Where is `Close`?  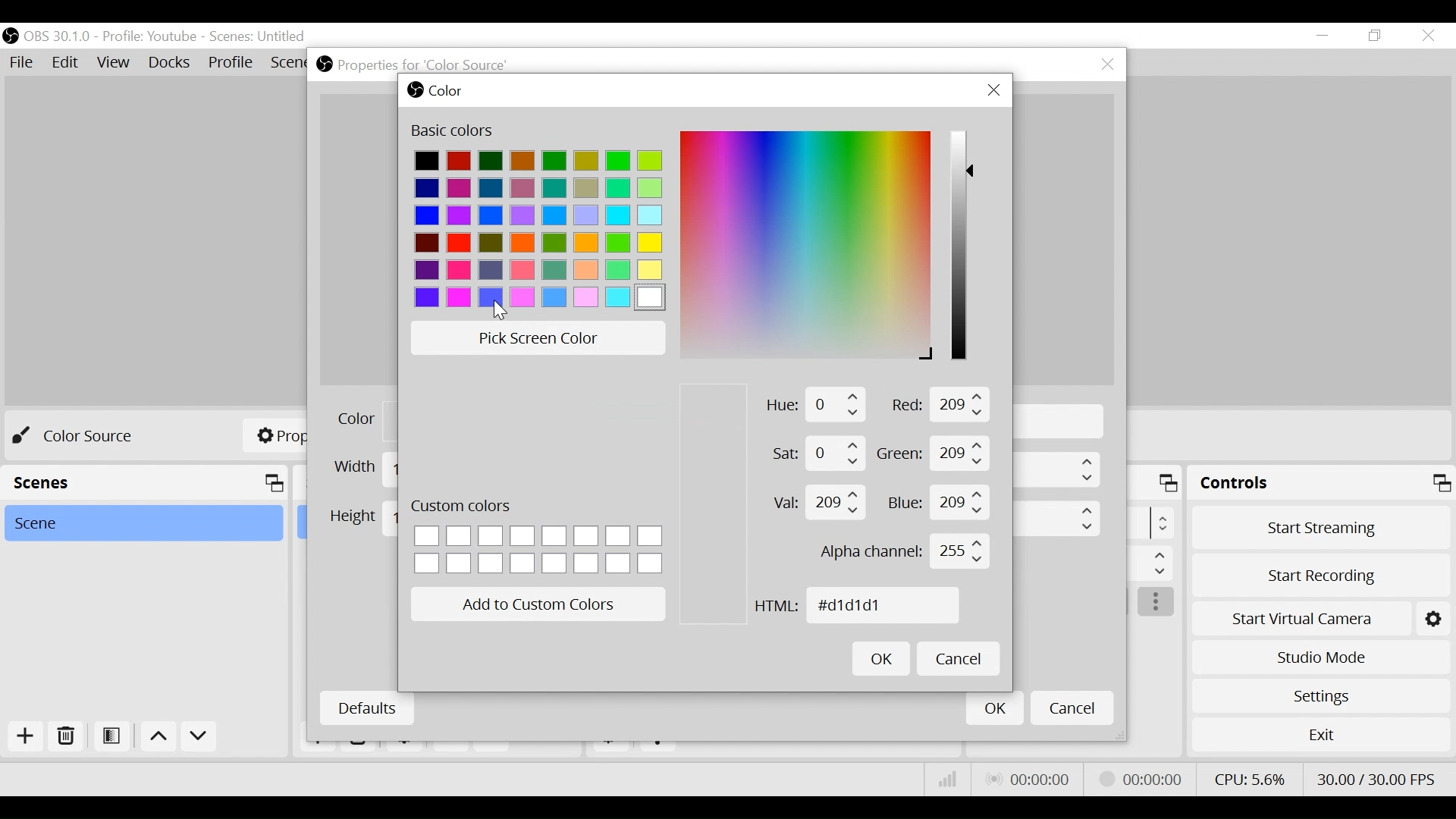
Close is located at coordinates (993, 89).